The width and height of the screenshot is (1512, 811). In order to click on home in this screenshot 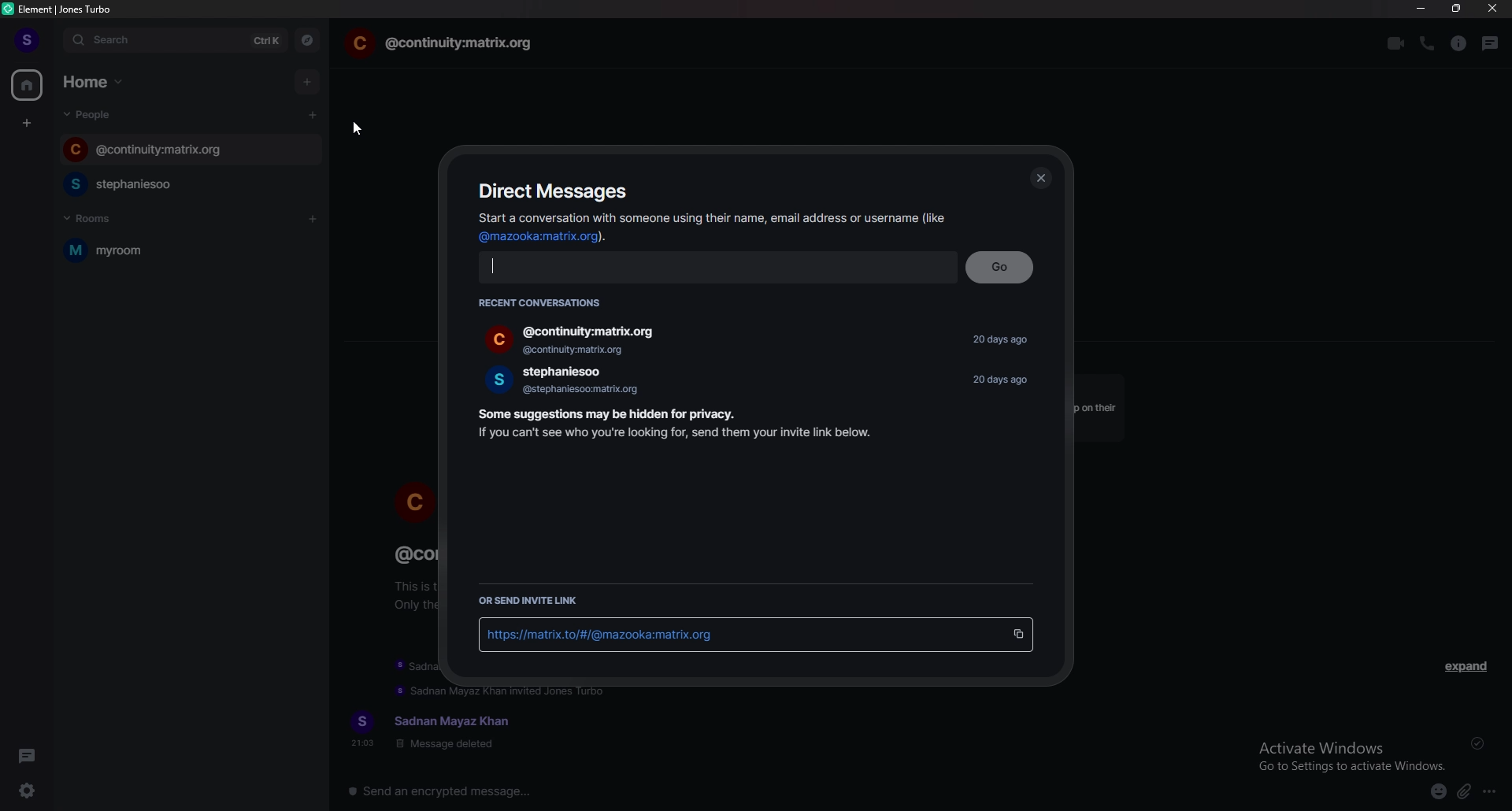, I will do `click(28, 84)`.